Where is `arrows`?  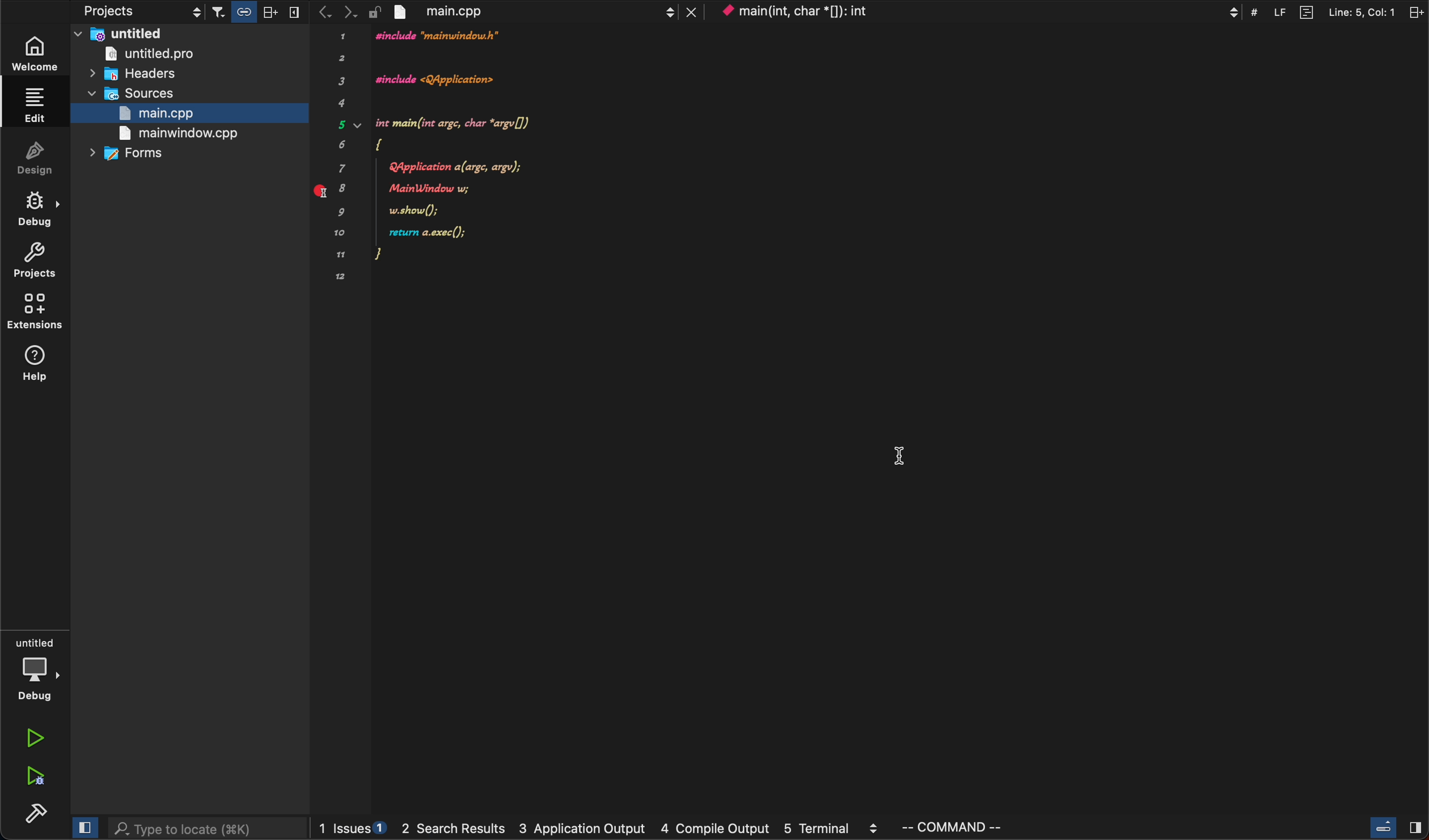 arrows is located at coordinates (332, 12).